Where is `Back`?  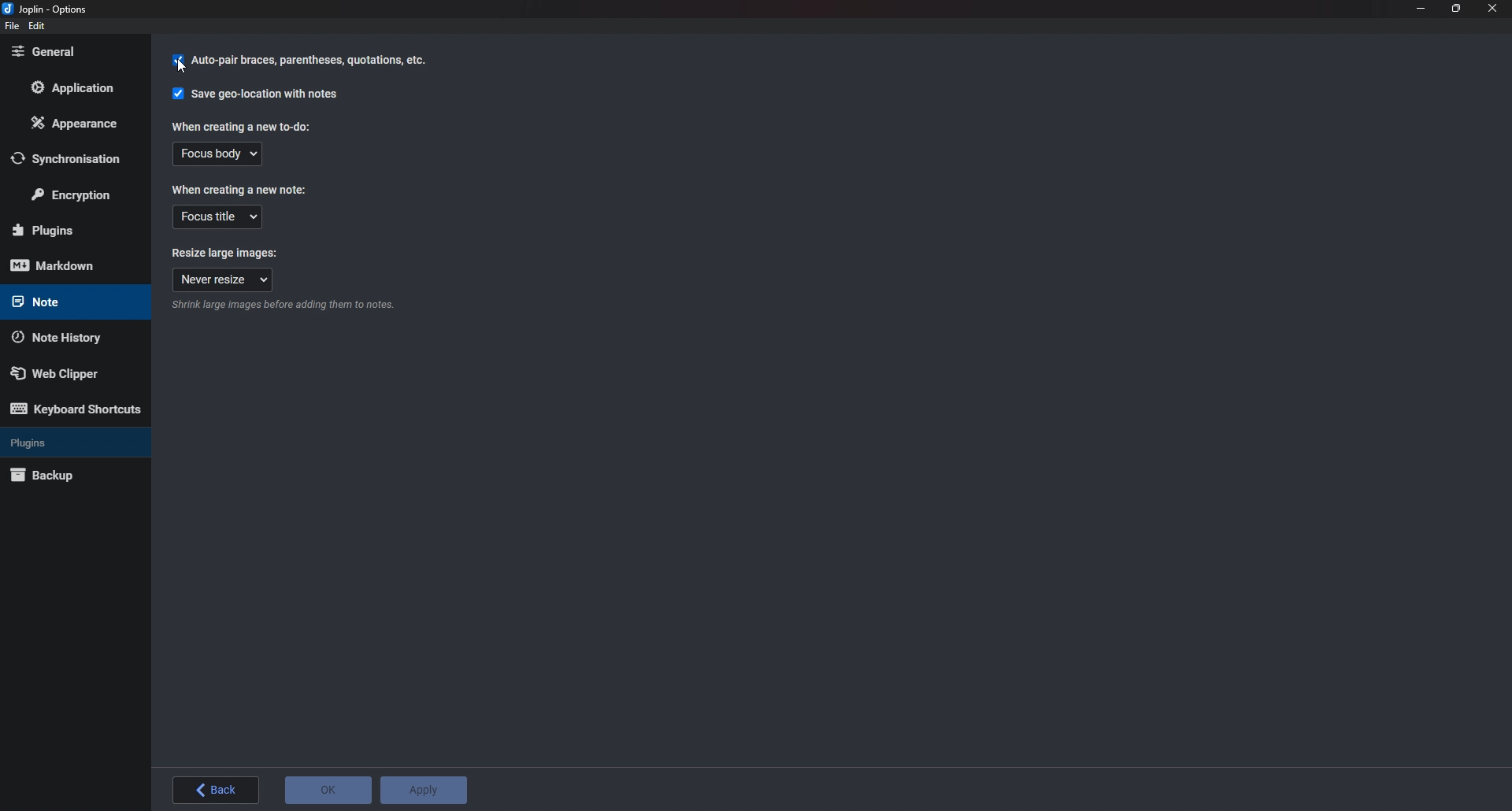
Back is located at coordinates (216, 790).